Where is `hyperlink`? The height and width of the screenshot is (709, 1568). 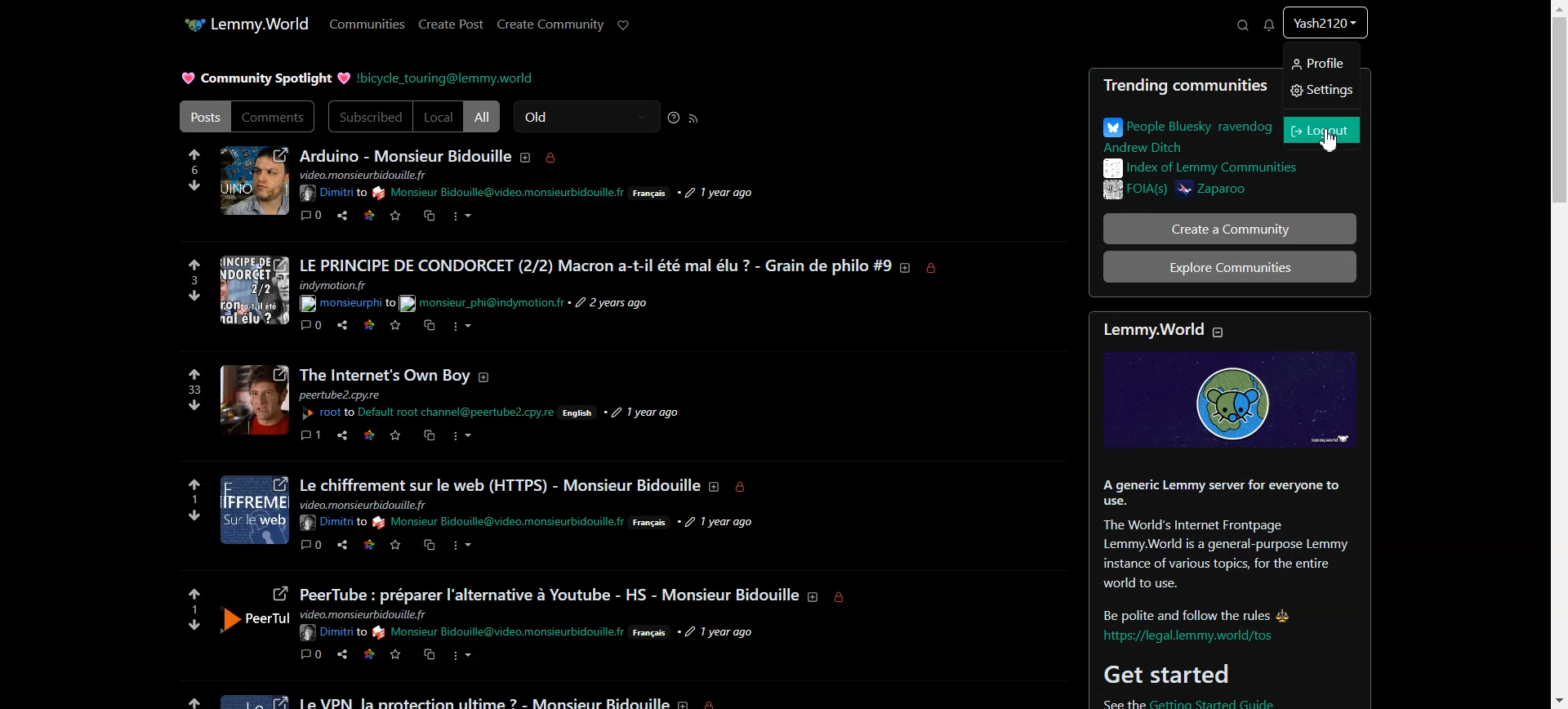
hyperlink is located at coordinates (328, 414).